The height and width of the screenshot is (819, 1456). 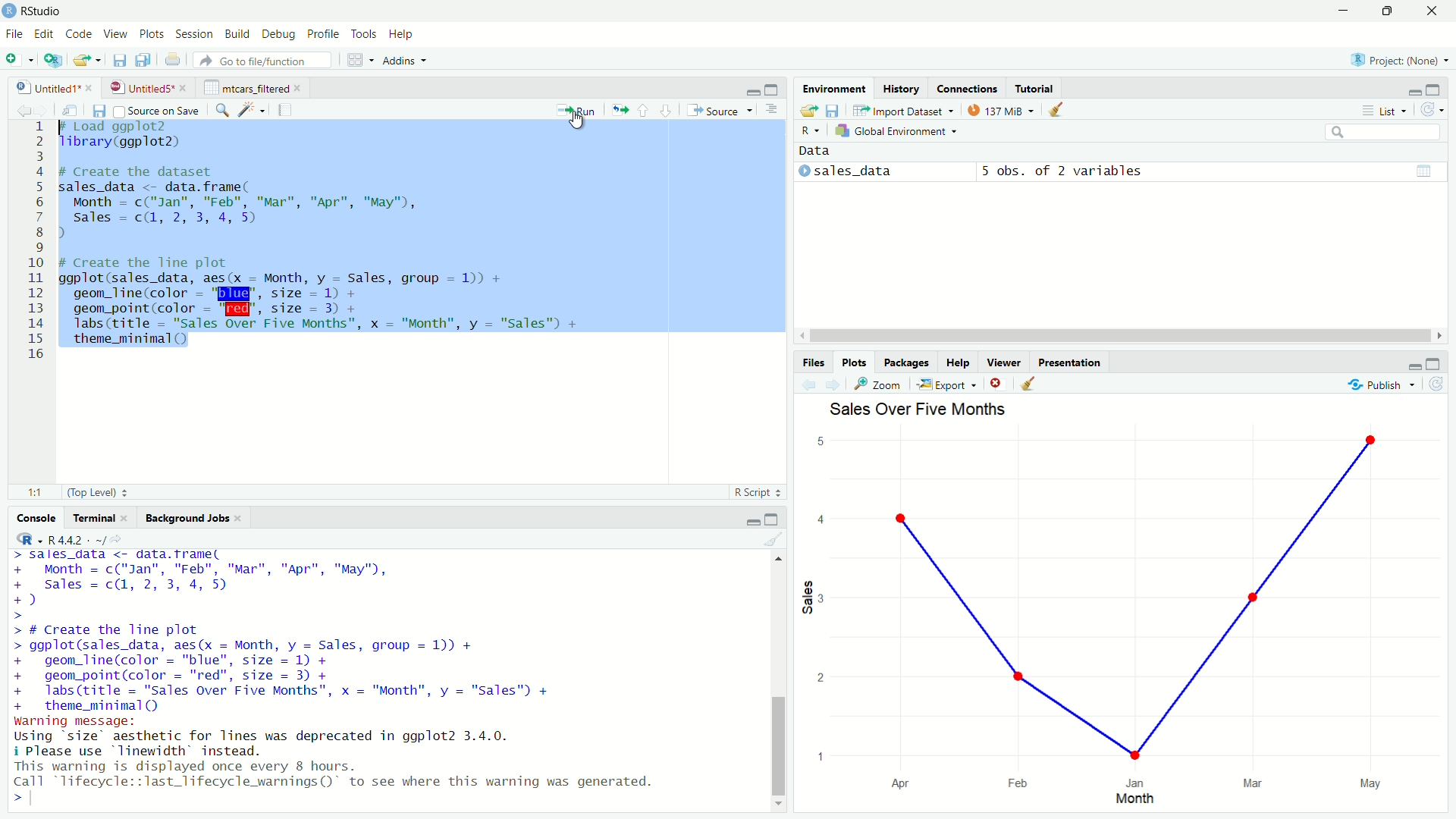 I want to click on close, so click(x=89, y=87).